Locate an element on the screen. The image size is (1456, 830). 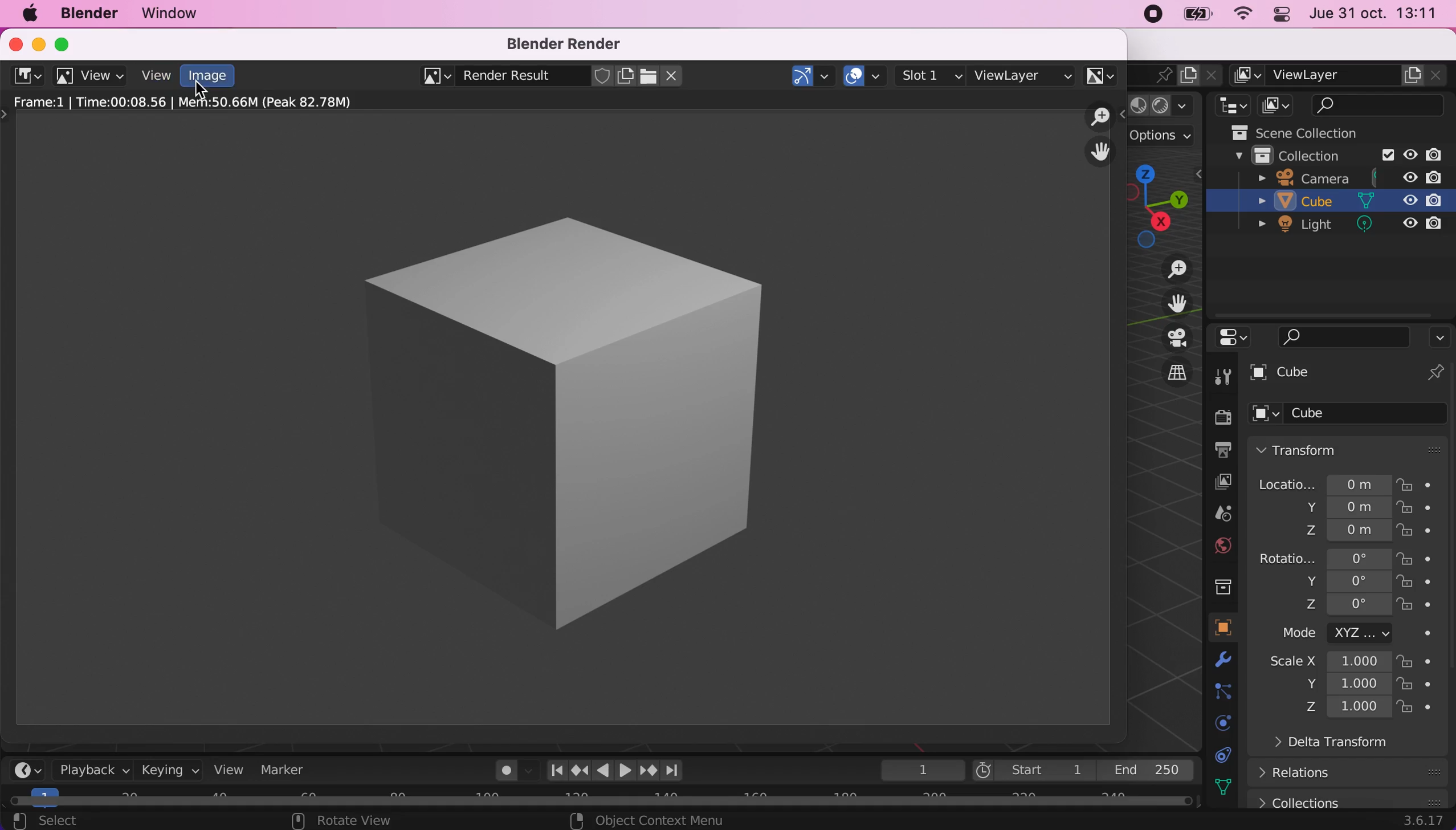
battery is located at coordinates (1201, 17).